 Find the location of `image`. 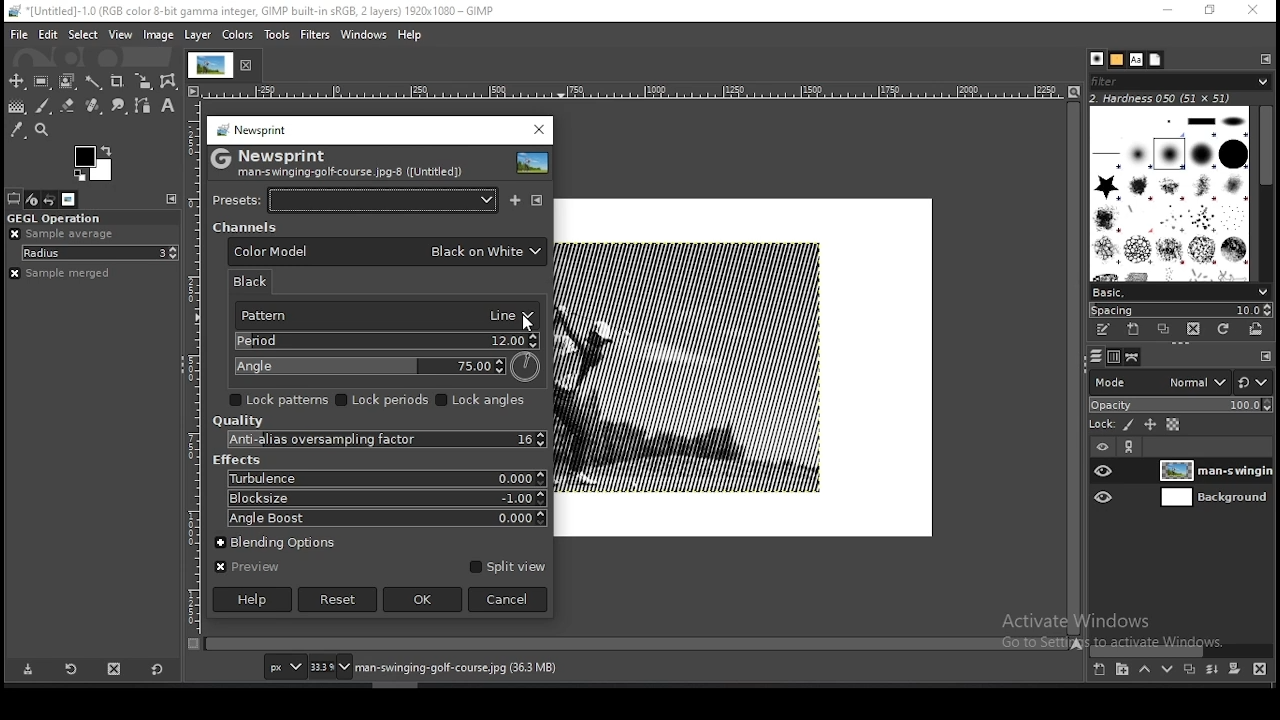

image is located at coordinates (159, 35).